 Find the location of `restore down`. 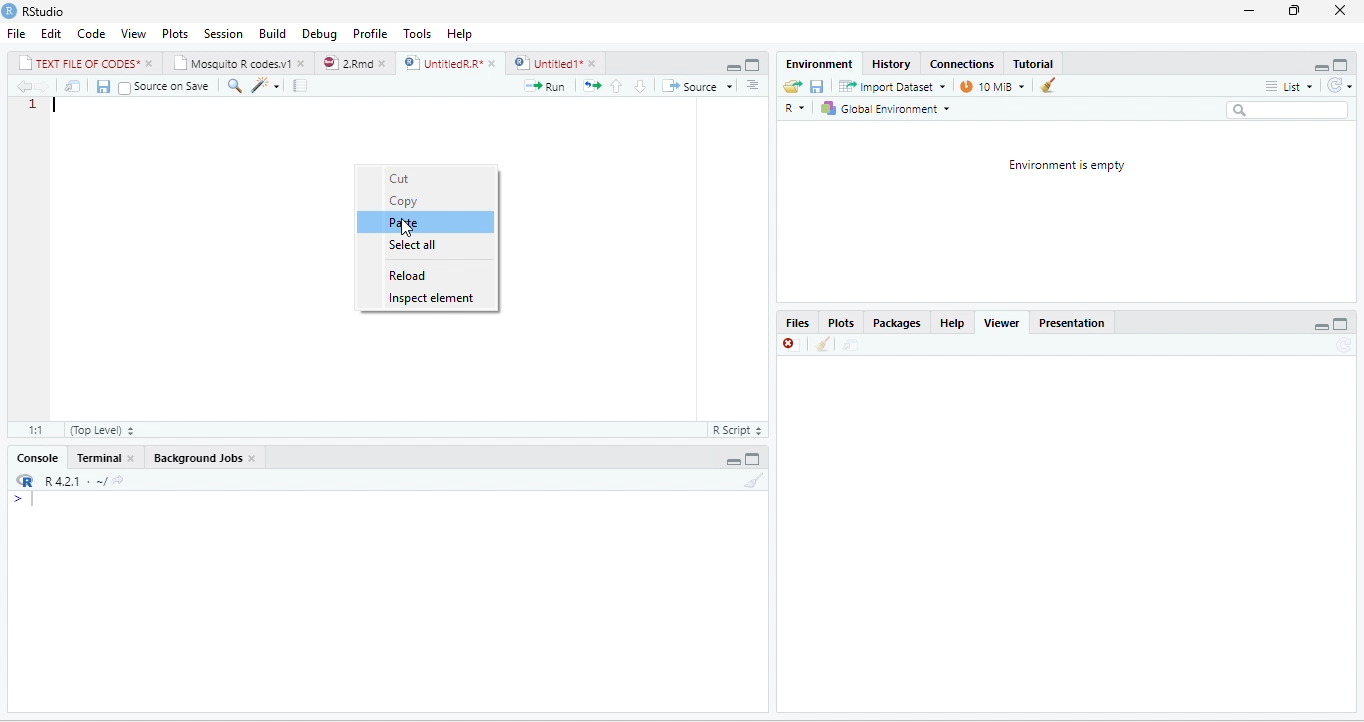

restore down is located at coordinates (1292, 12).